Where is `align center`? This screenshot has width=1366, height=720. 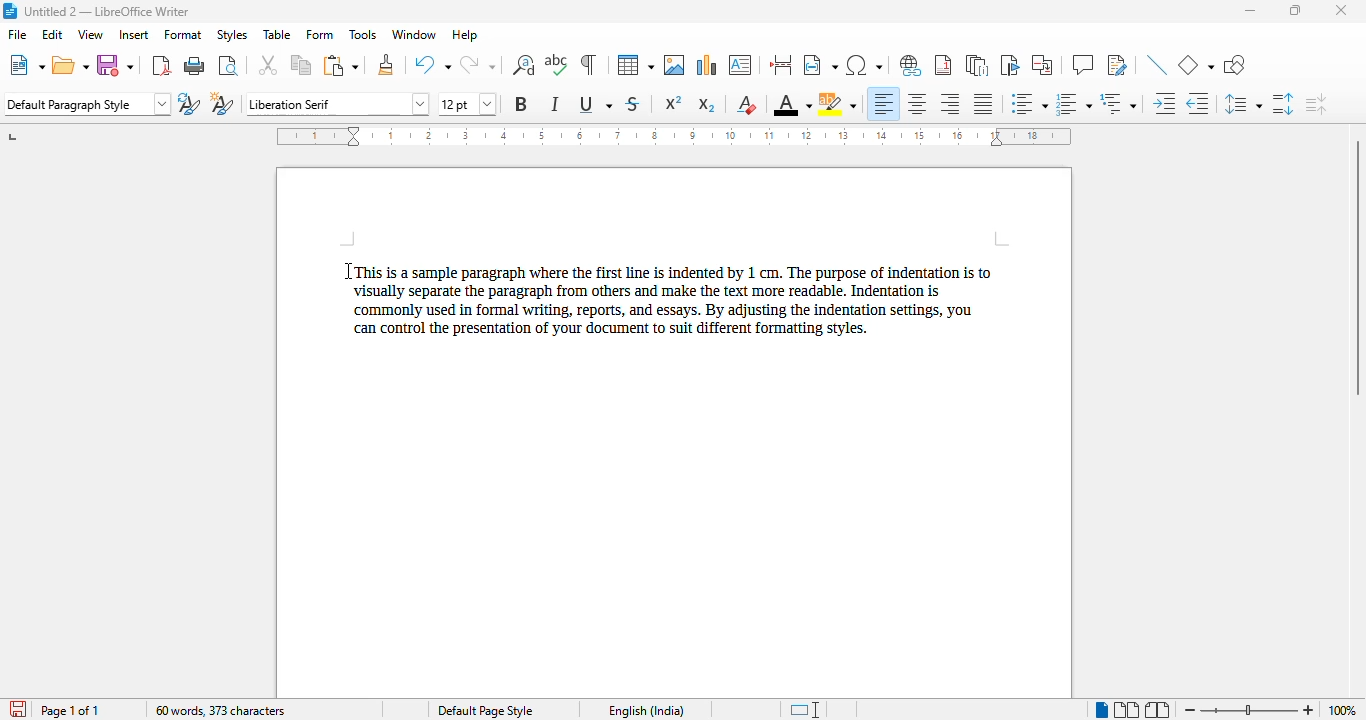
align center is located at coordinates (917, 104).